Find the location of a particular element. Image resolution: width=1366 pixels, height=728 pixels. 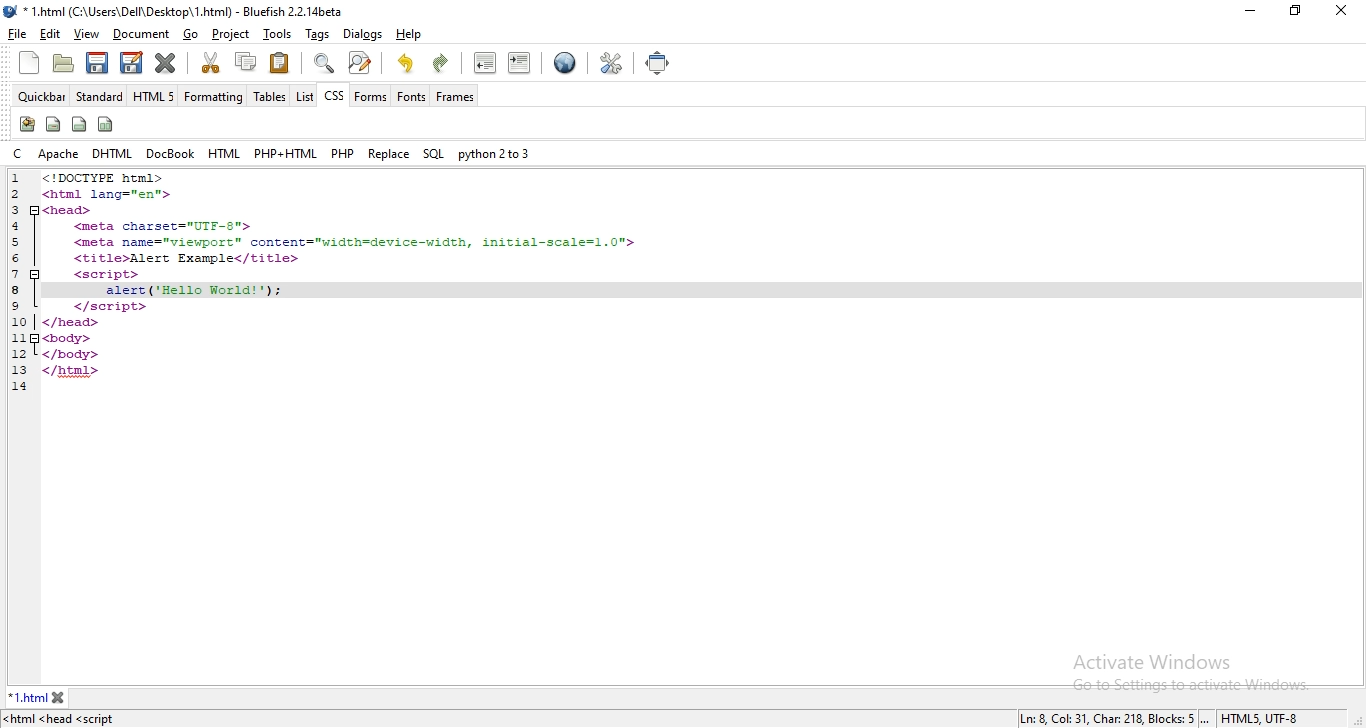

python 2 to 3 is located at coordinates (492, 152).